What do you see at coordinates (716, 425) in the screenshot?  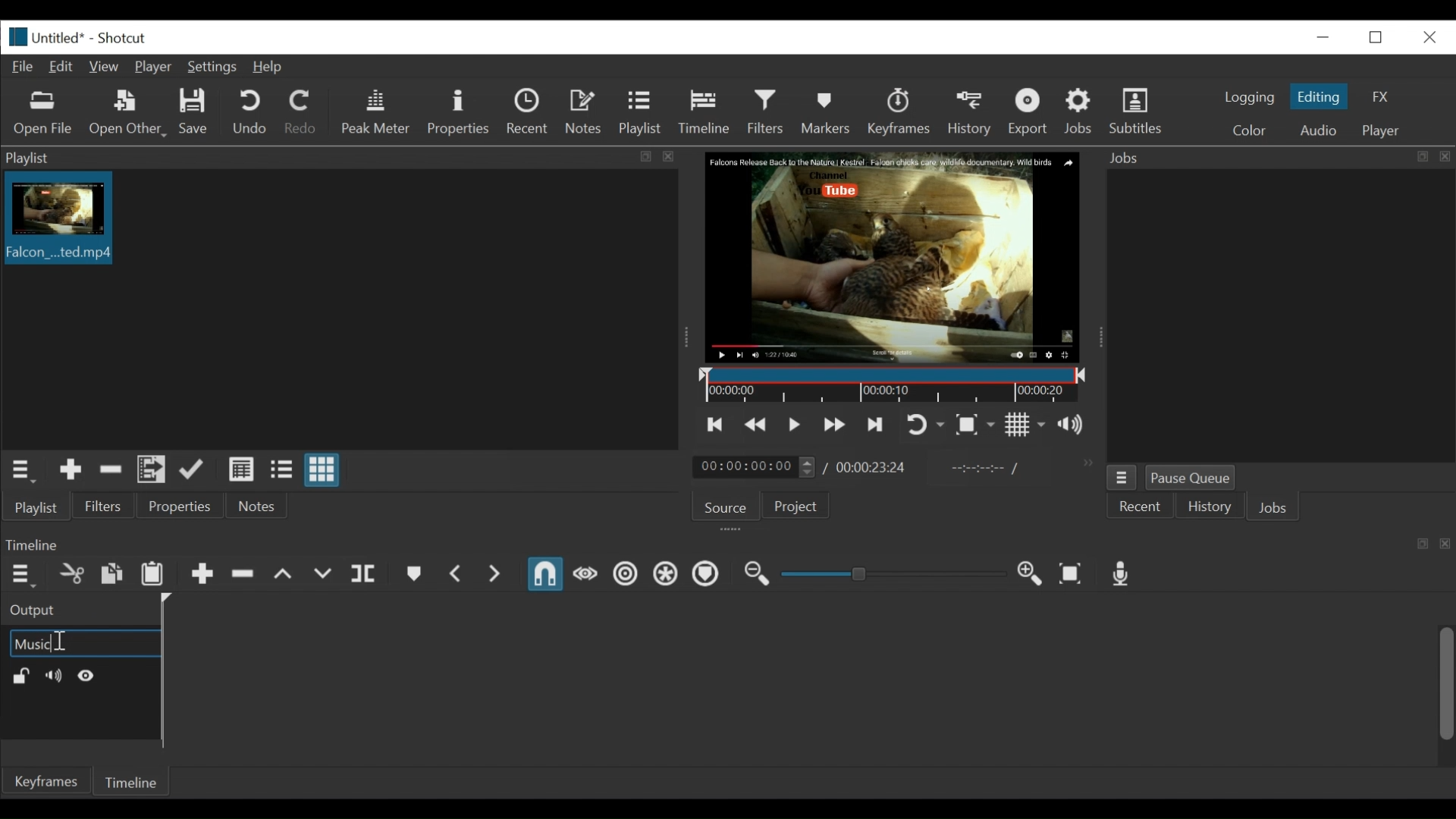 I see `Skip to the previous point` at bounding box center [716, 425].